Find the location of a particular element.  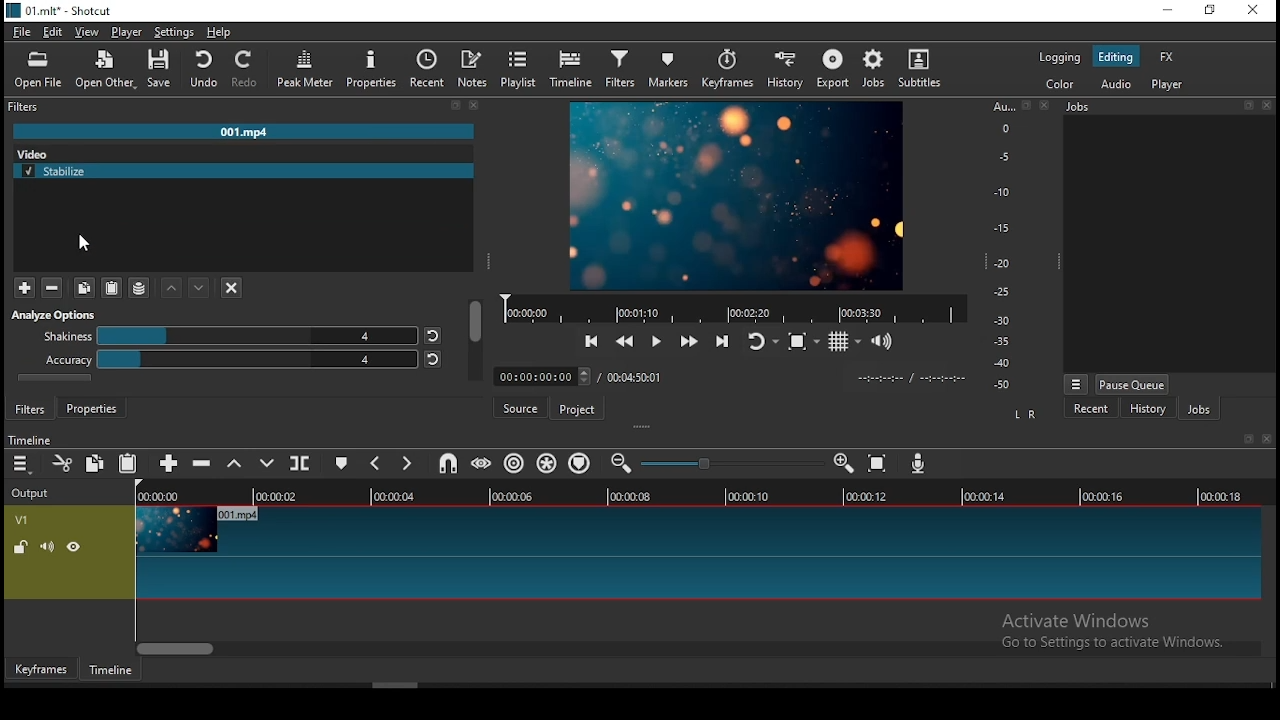

help is located at coordinates (223, 31).